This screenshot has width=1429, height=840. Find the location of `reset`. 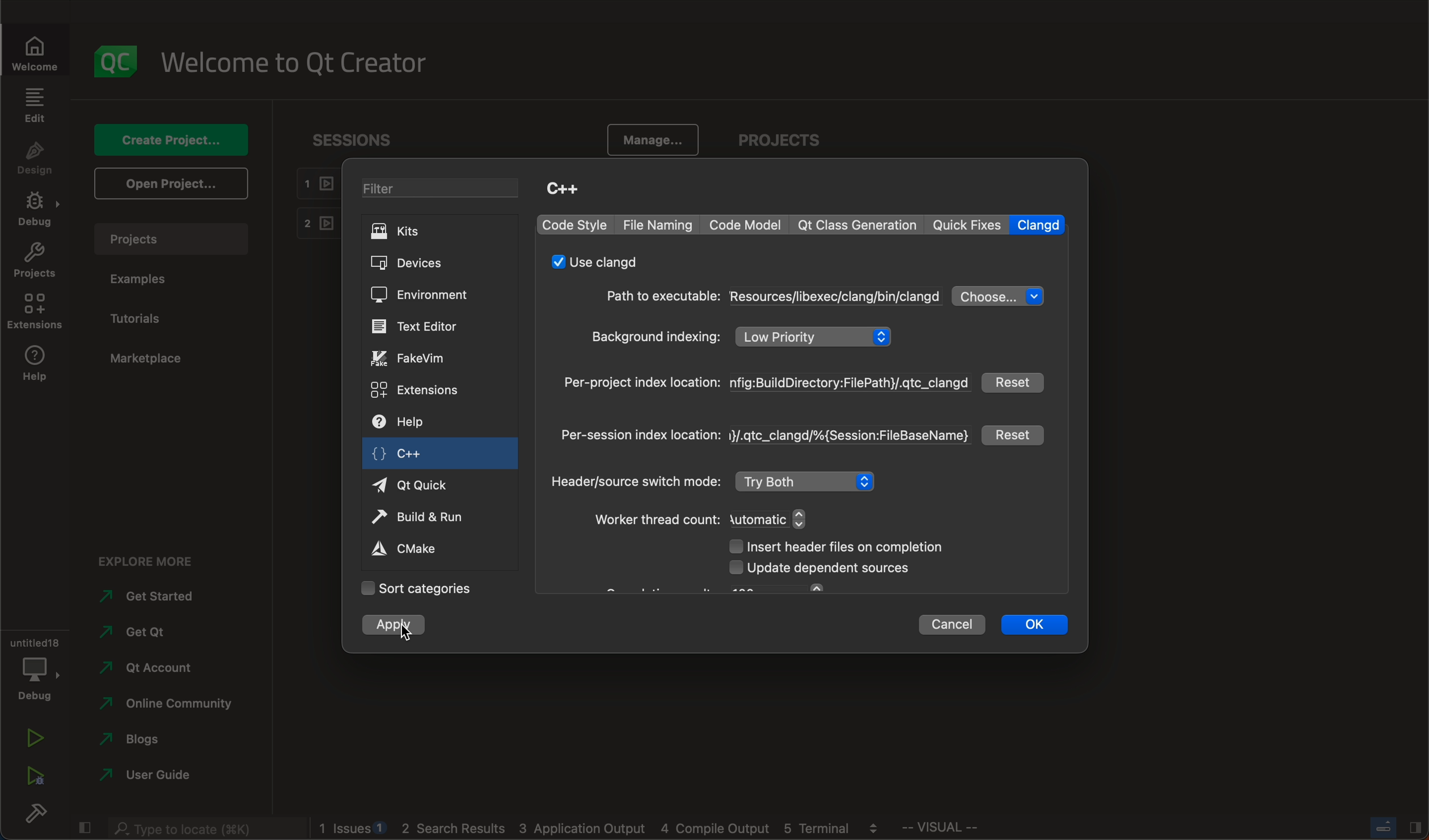

reset is located at coordinates (1012, 382).